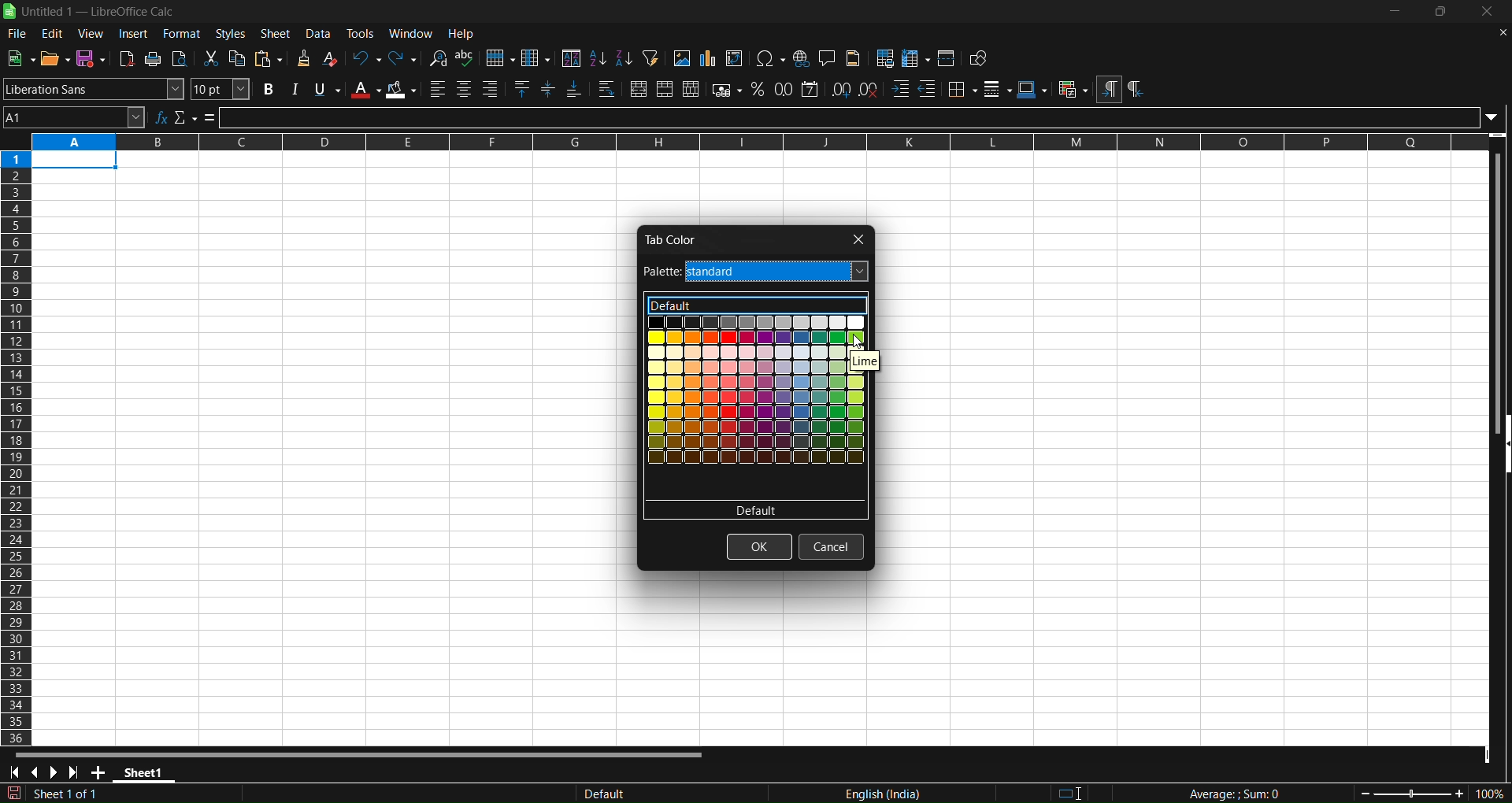 Image resolution: width=1512 pixels, height=803 pixels. Describe the element at coordinates (100, 775) in the screenshot. I see `add new sheet` at that location.